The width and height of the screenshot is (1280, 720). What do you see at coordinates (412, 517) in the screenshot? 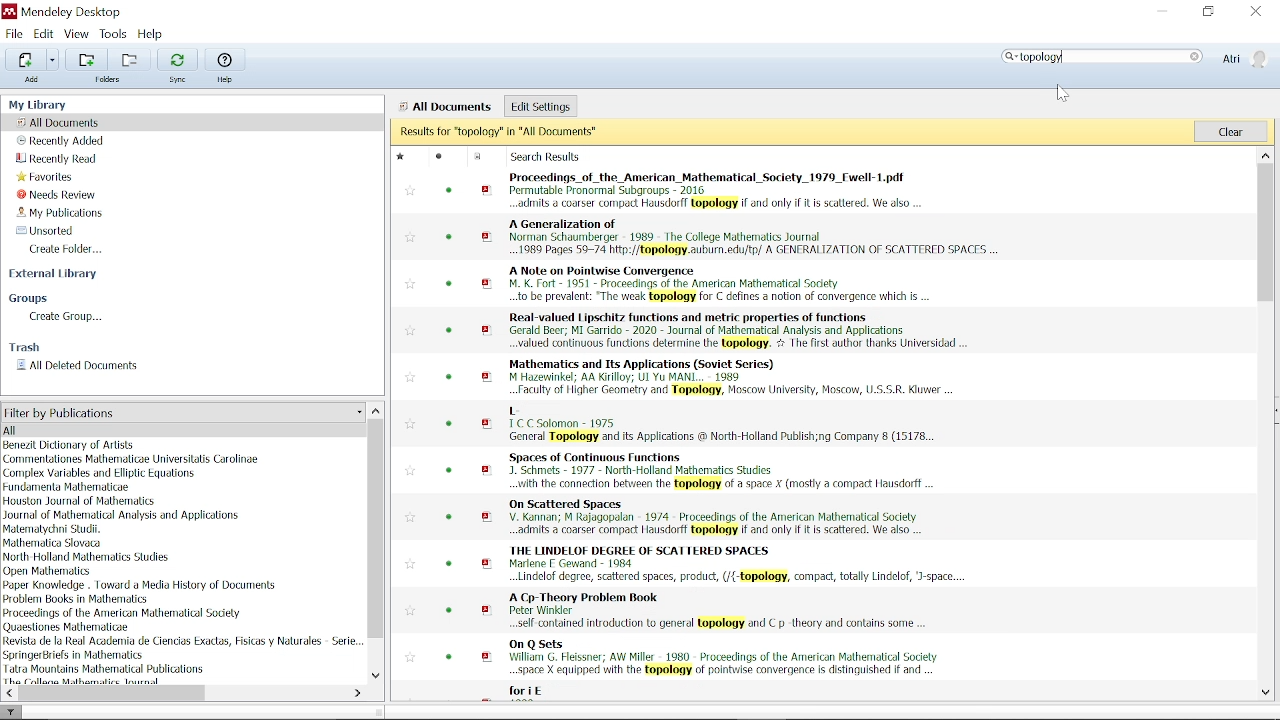
I see `favourite` at bounding box center [412, 517].